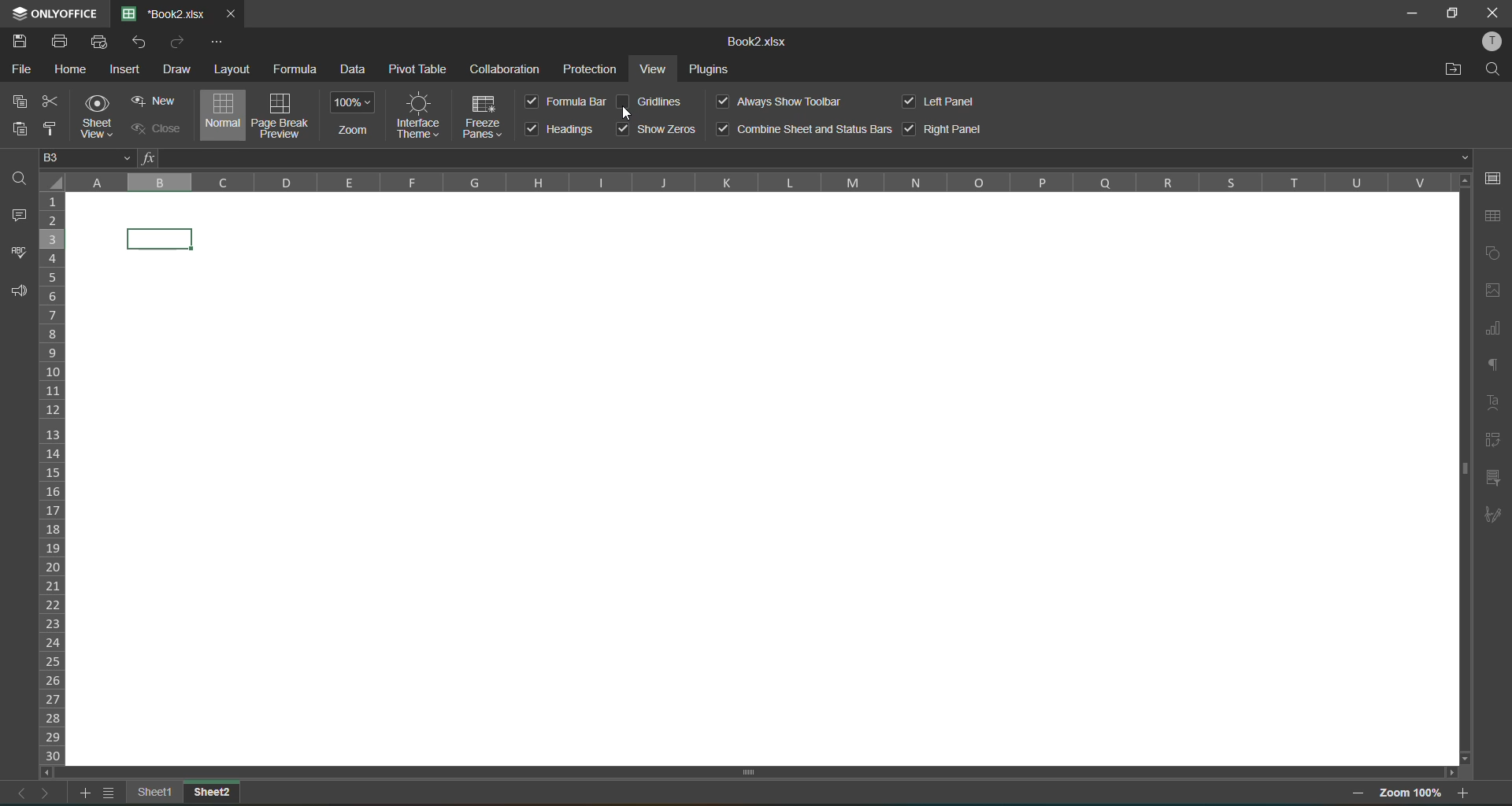 The height and width of the screenshot is (806, 1512). Describe the element at coordinates (102, 45) in the screenshot. I see `quick print` at that location.